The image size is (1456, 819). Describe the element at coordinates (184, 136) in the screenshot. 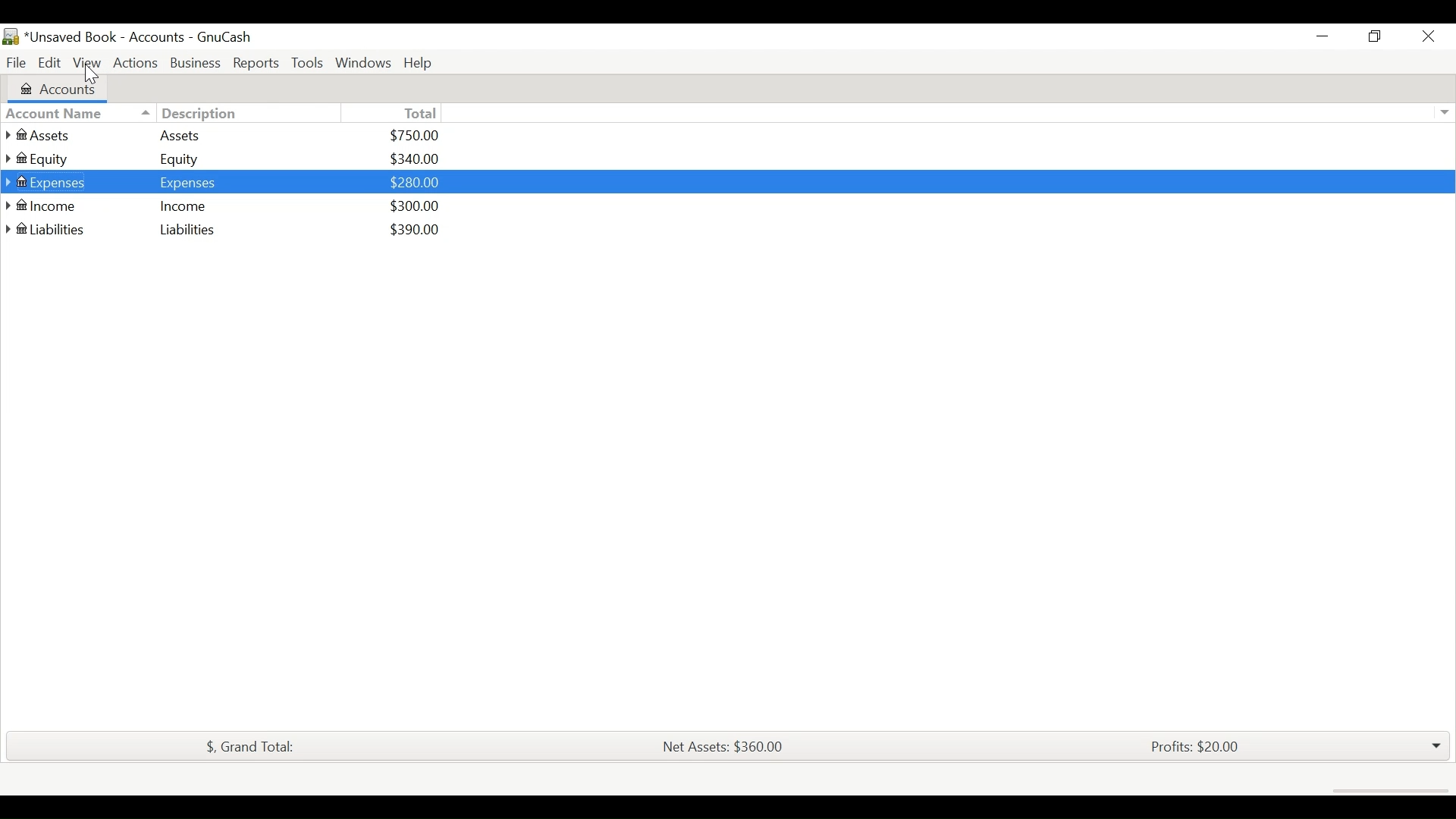

I see `Assets` at that location.